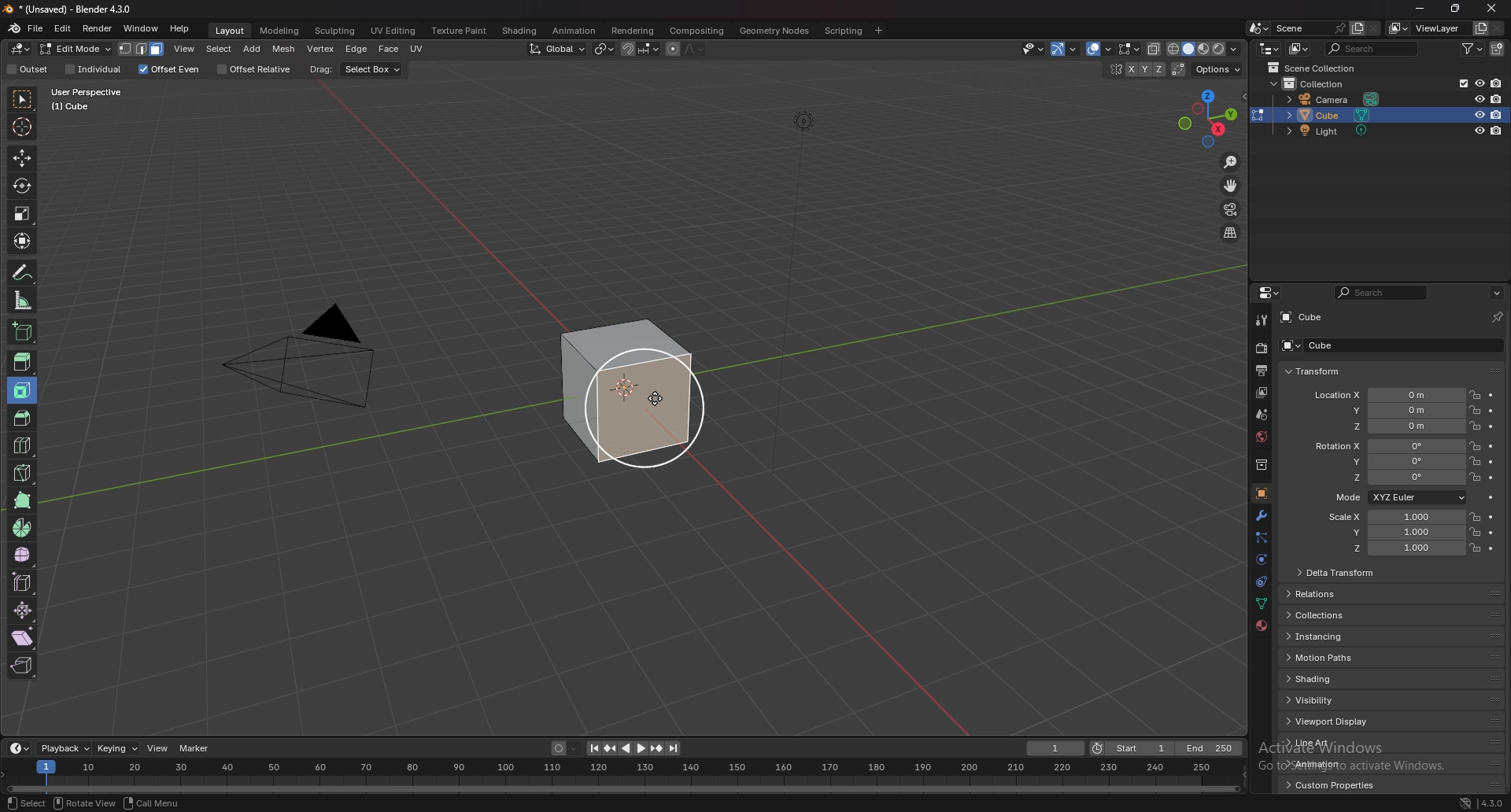 The height and width of the screenshot is (812, 1511). Describe the element at coordinates (23, 637) in the screenshot. I see `shear` at that location.